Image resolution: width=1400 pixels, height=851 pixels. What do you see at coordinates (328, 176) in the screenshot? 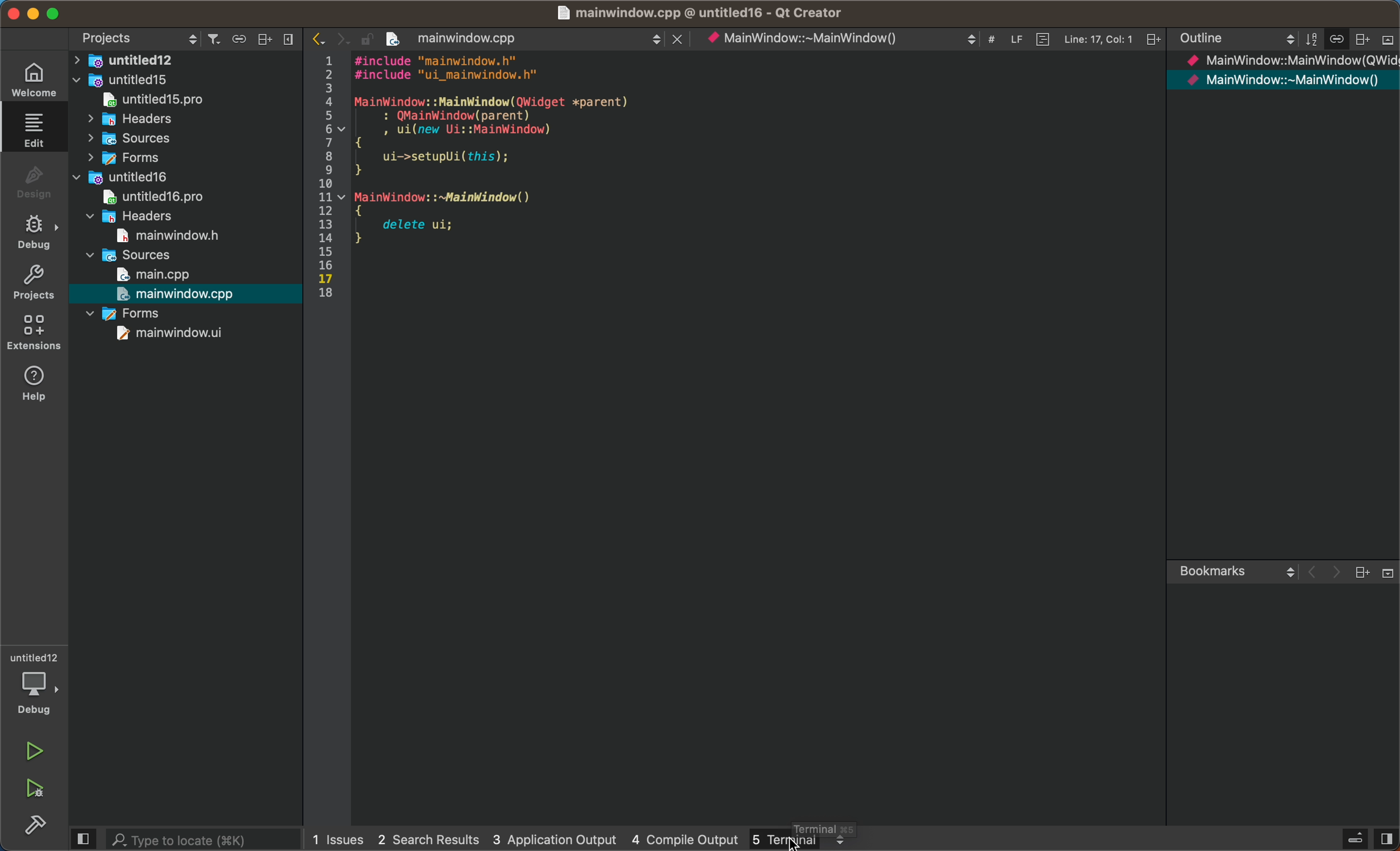
I see `numbers` at bounding box center [328, 176].